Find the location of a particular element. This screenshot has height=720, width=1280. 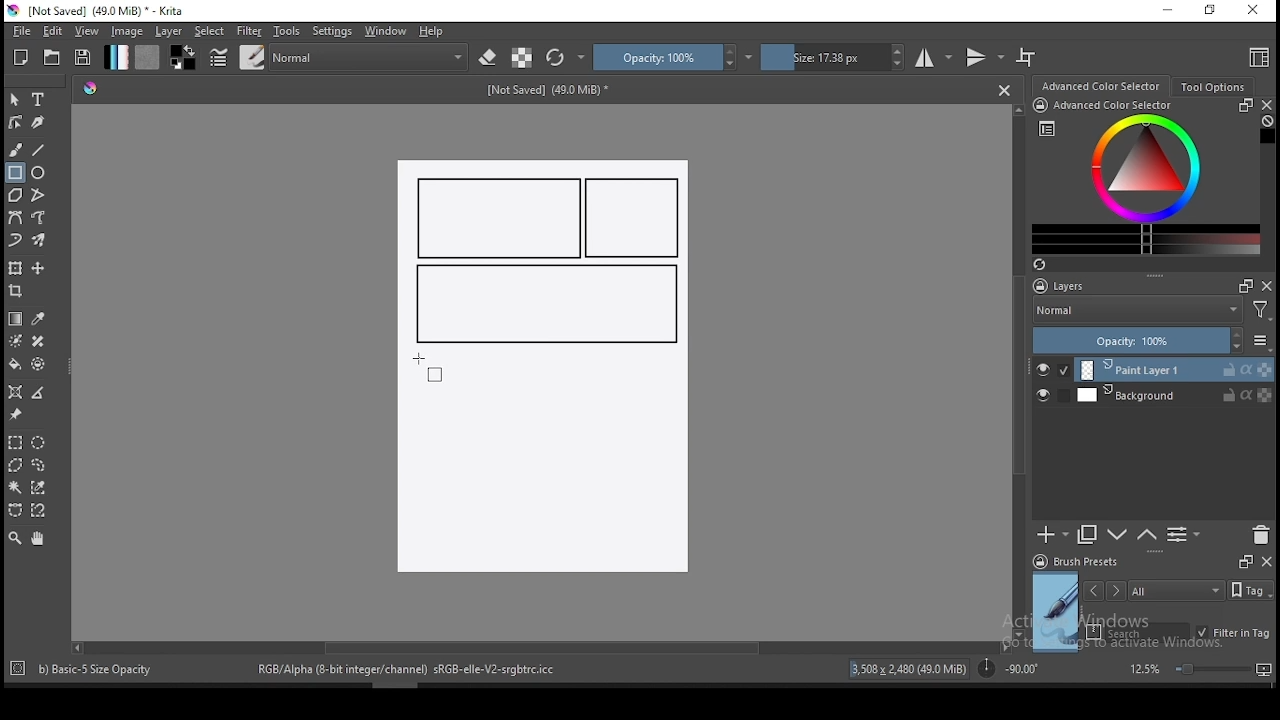

filter in tag is located at coordinates (1233, 634).